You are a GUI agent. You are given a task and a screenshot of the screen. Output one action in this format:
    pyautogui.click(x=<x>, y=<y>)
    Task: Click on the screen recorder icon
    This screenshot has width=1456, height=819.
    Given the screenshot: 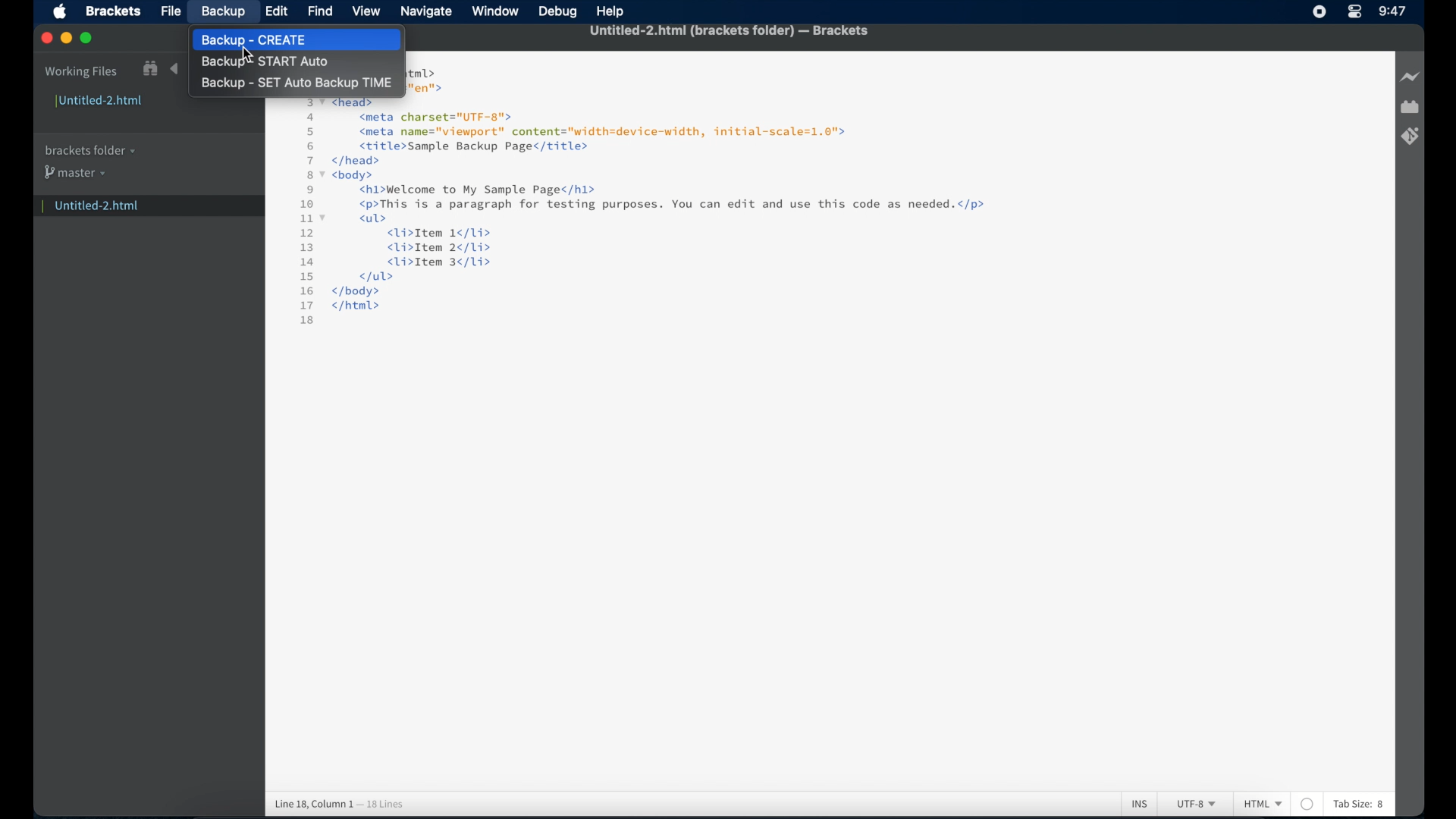 What is the action you would take?
    pyautogui.click(x=1319, y=11)
    